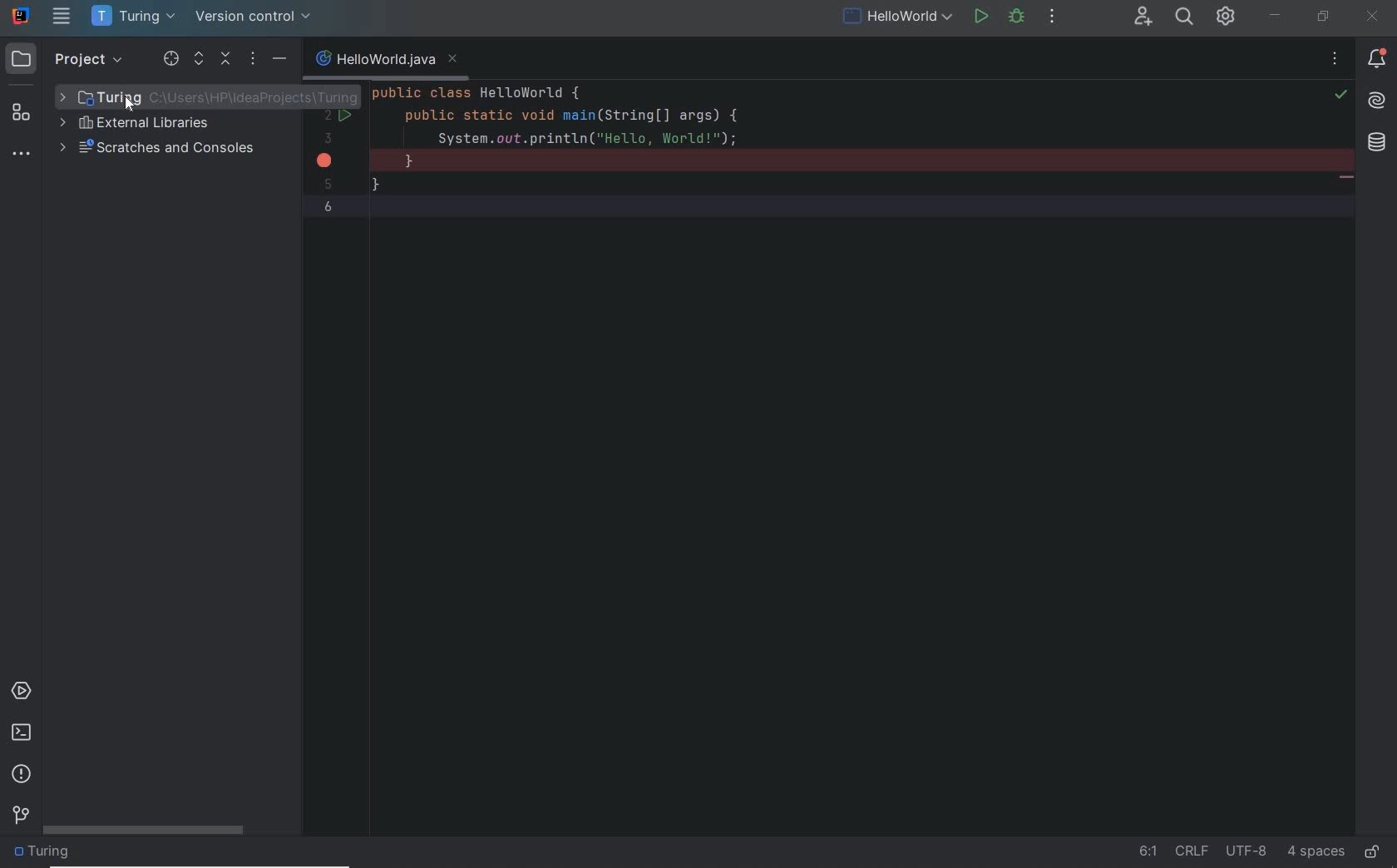 This screenshot has height=868, width=1397. I want to click on project name, so click(134, 17).